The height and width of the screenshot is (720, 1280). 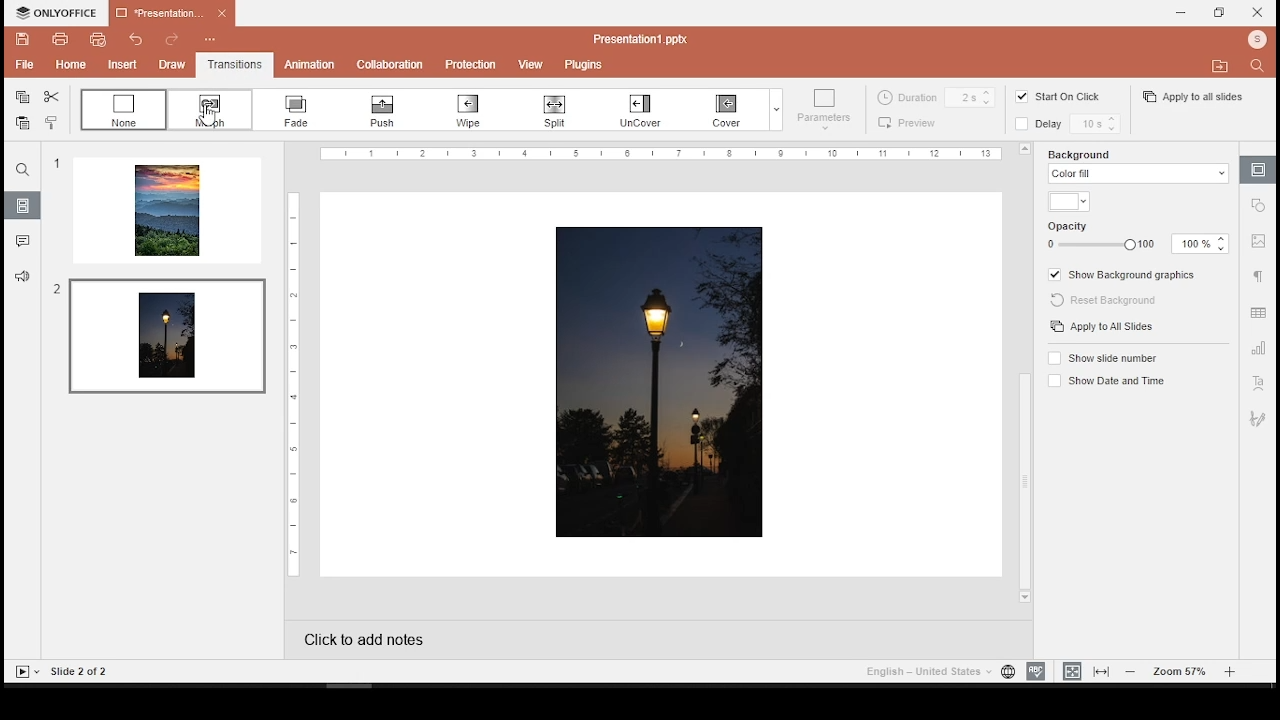 What do you see at coordinates (60, 40) in the screenshot?
I see `print file` at bounding box center [60, 40].